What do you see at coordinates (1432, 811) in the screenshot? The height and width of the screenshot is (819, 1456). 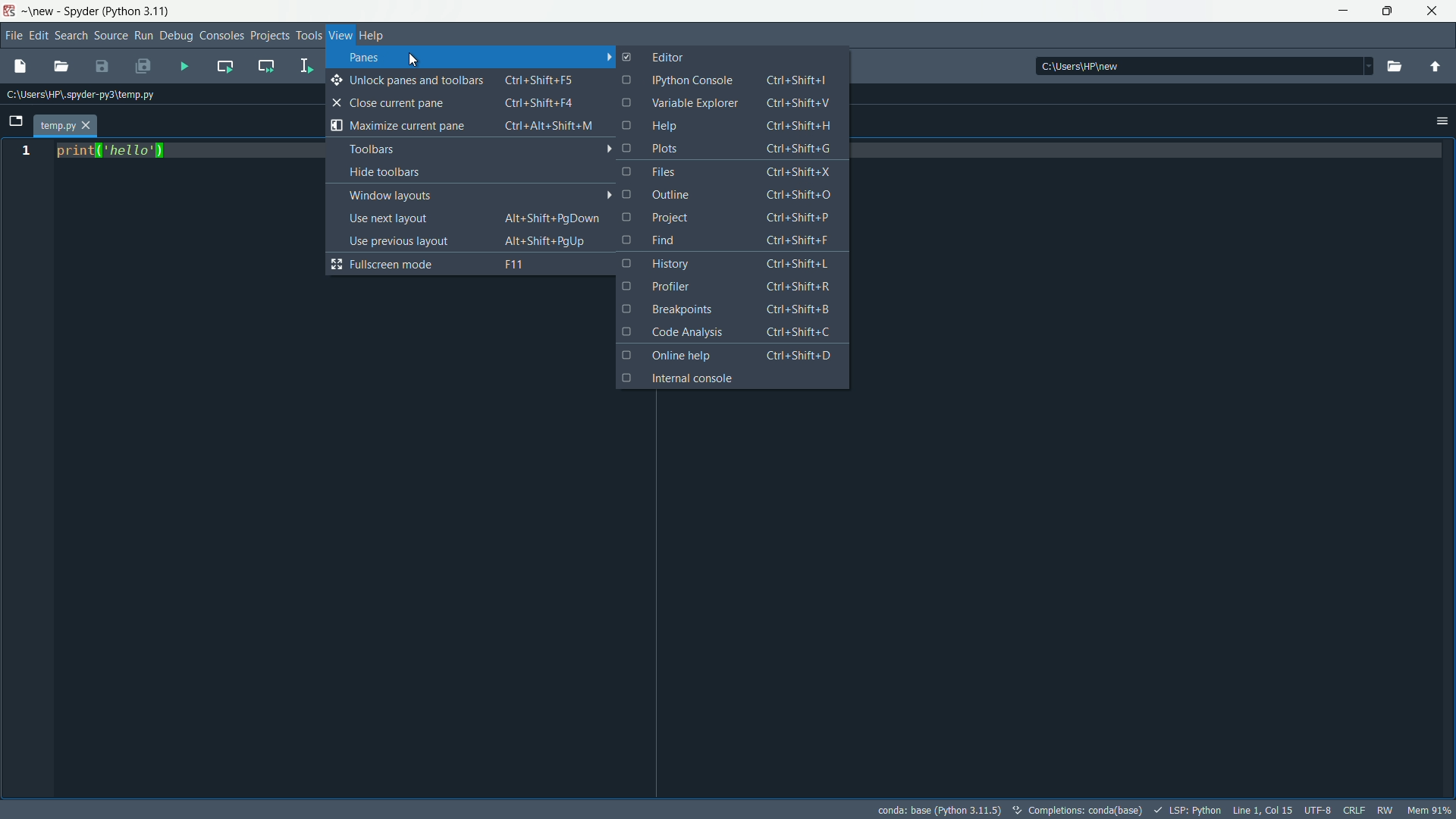 I see `mem 90%` at bounding box center [1432, 811].